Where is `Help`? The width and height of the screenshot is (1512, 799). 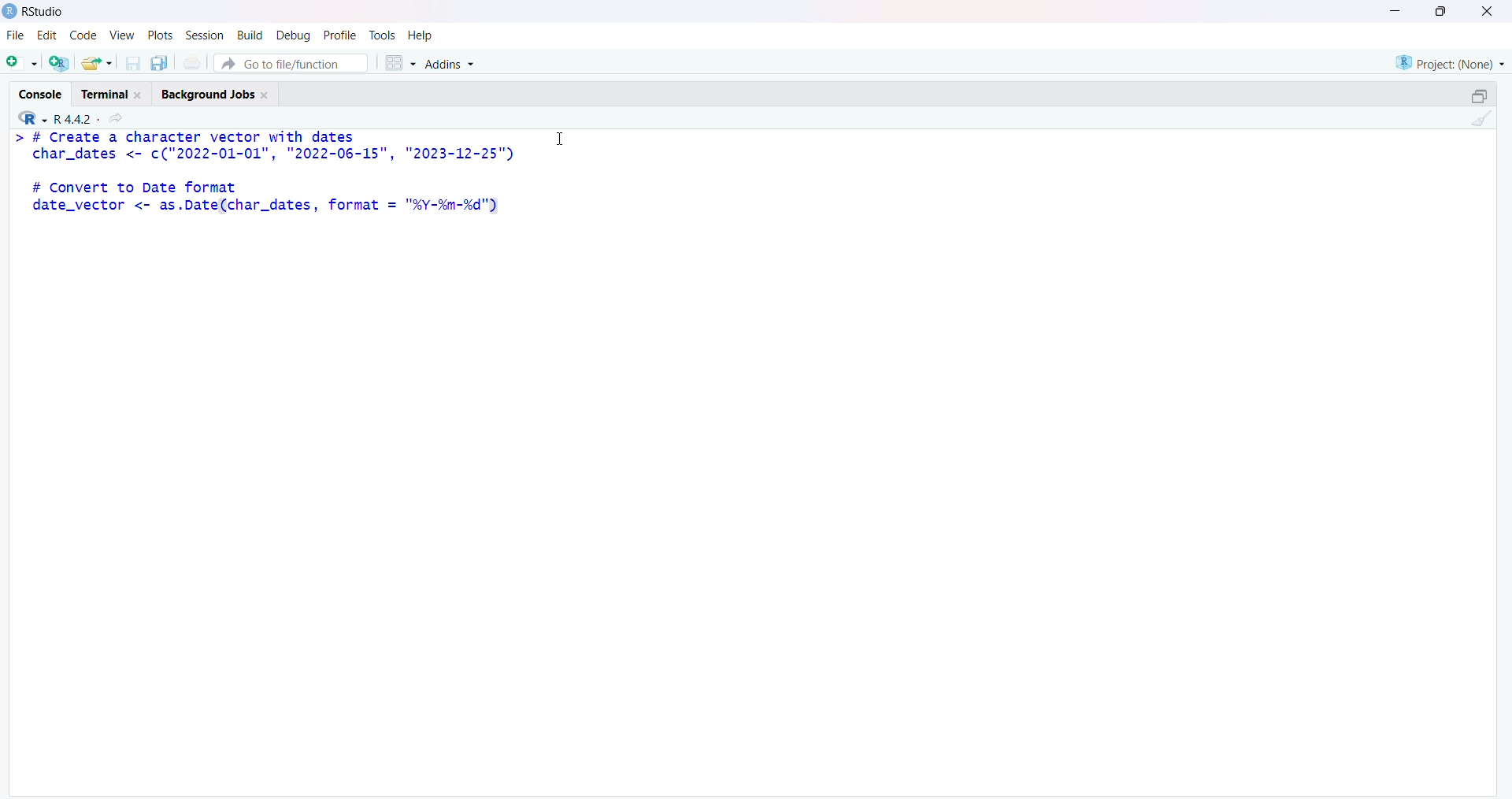 Help is located at coordinates (421, 35).